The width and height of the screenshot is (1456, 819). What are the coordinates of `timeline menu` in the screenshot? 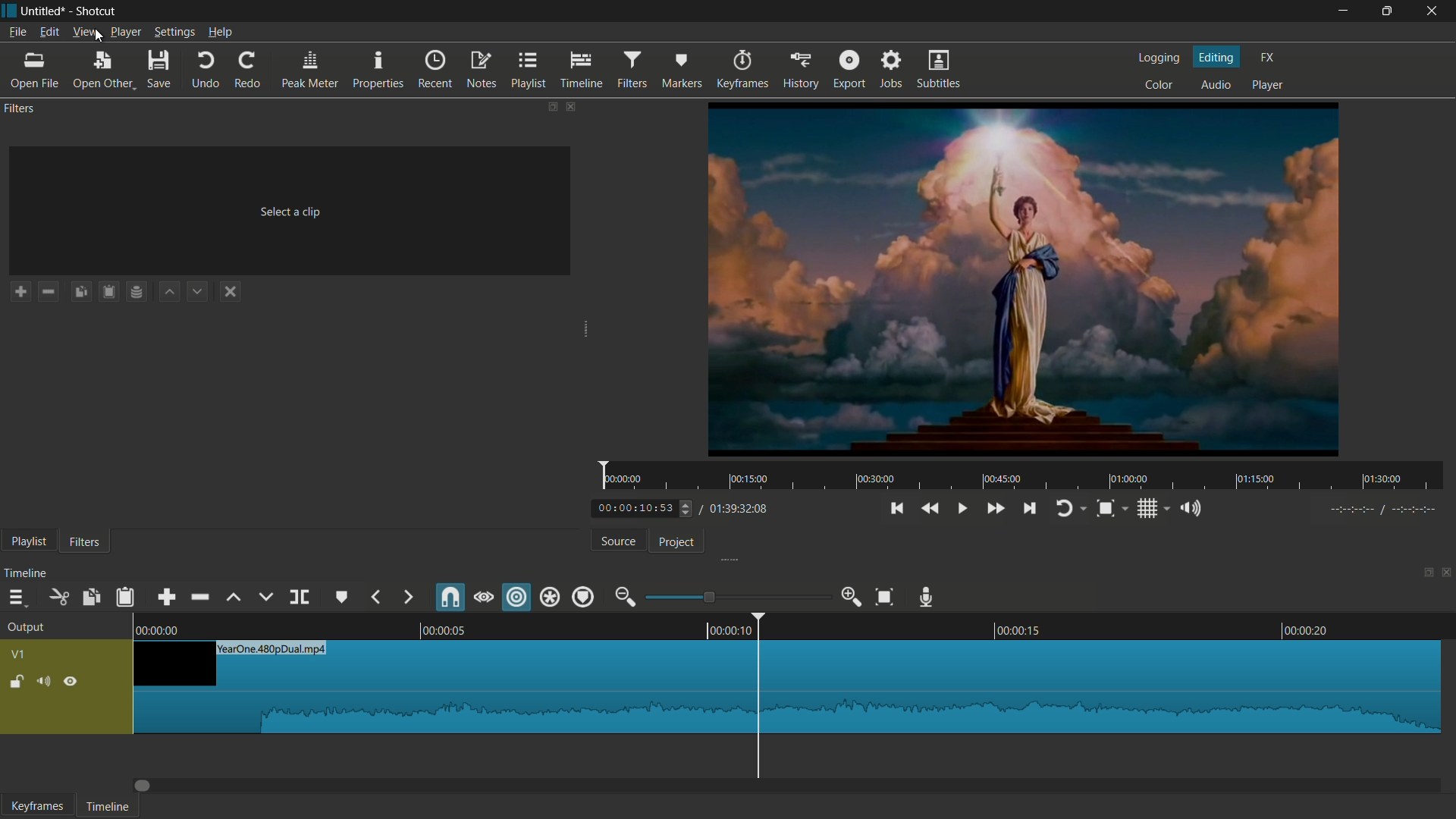 It's located at (15, 598).